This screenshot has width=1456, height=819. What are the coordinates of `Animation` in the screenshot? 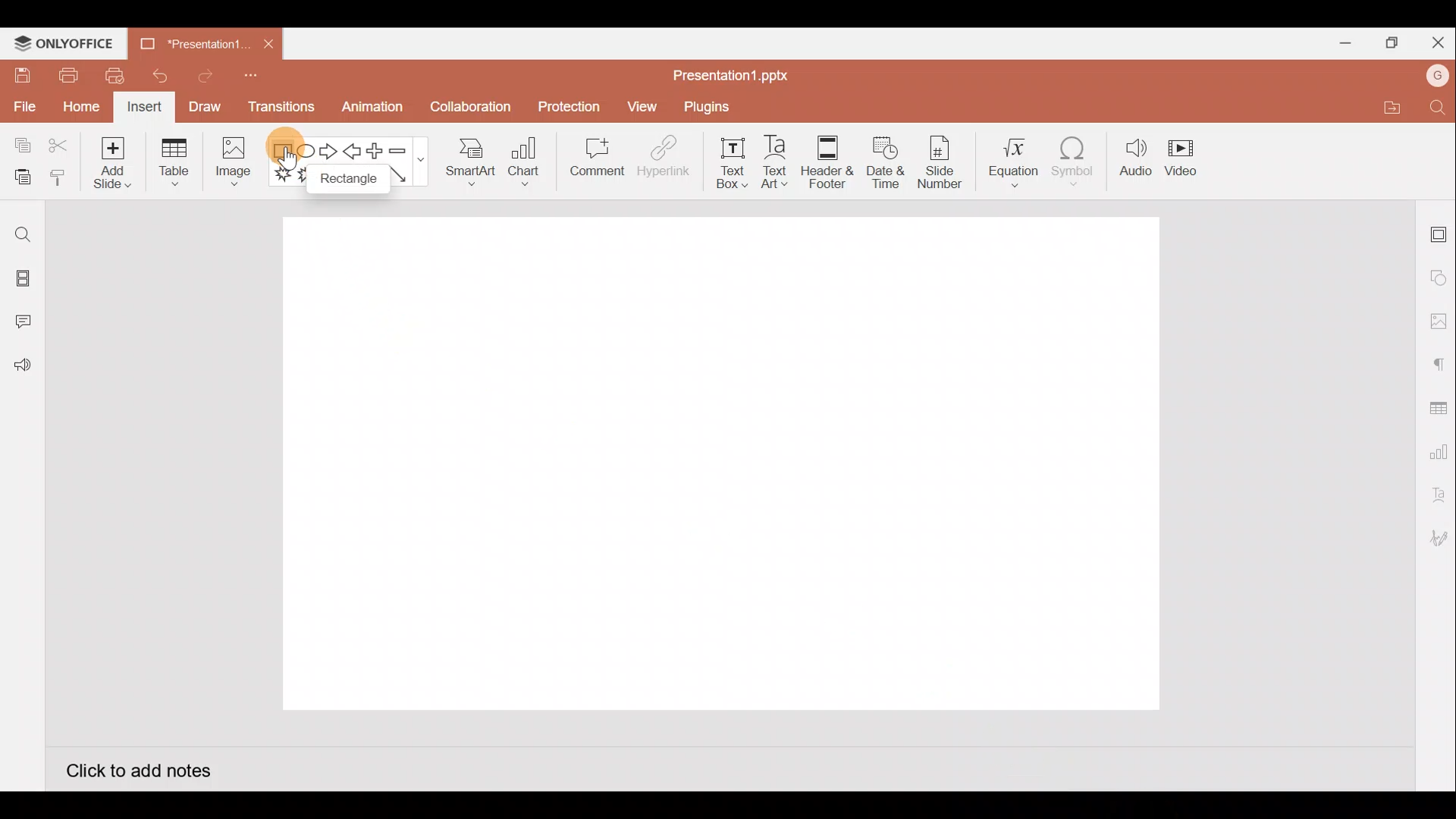 It's located at (374, 111).